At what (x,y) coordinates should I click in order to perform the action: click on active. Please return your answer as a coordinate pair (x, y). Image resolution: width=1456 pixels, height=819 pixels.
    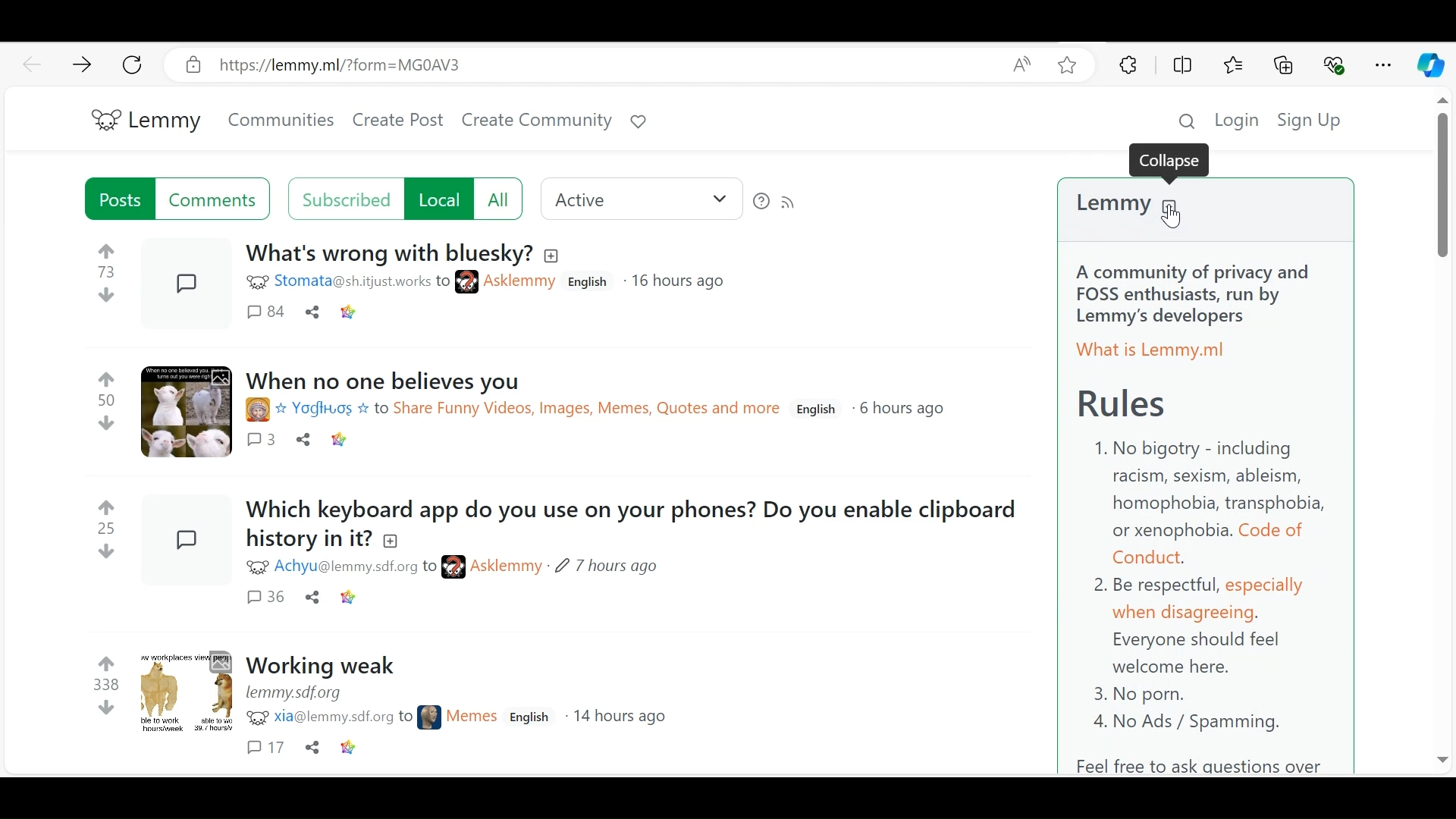
    Looking at the image, I should click on (642, 200).